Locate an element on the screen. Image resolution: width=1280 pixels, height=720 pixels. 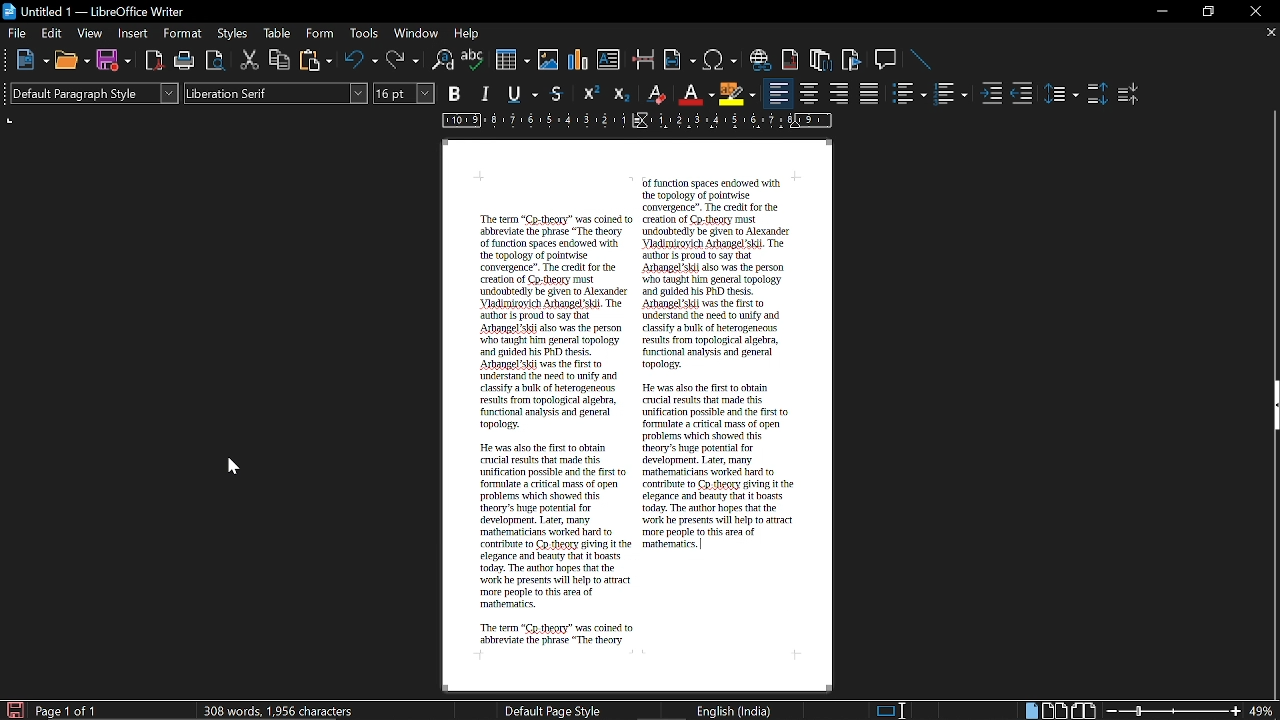
Redo is located at coordinates (402, 60).